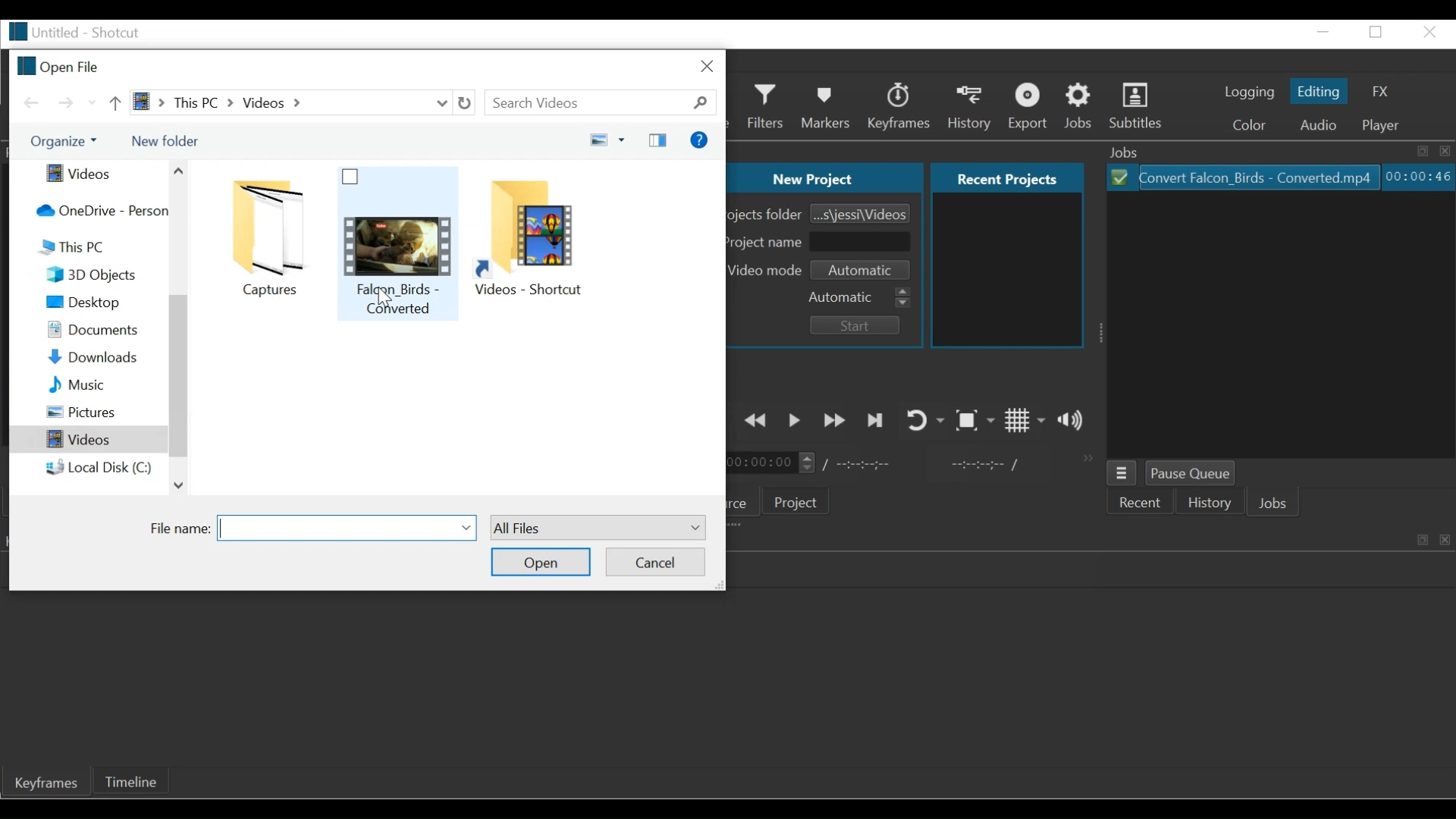 The width and height of the screenshot is (1456, 819). What do you see at coordinates (1025, 419) in the screenshot?
I see `Toggle grid display on the player` at bounding box center [1025, 419].